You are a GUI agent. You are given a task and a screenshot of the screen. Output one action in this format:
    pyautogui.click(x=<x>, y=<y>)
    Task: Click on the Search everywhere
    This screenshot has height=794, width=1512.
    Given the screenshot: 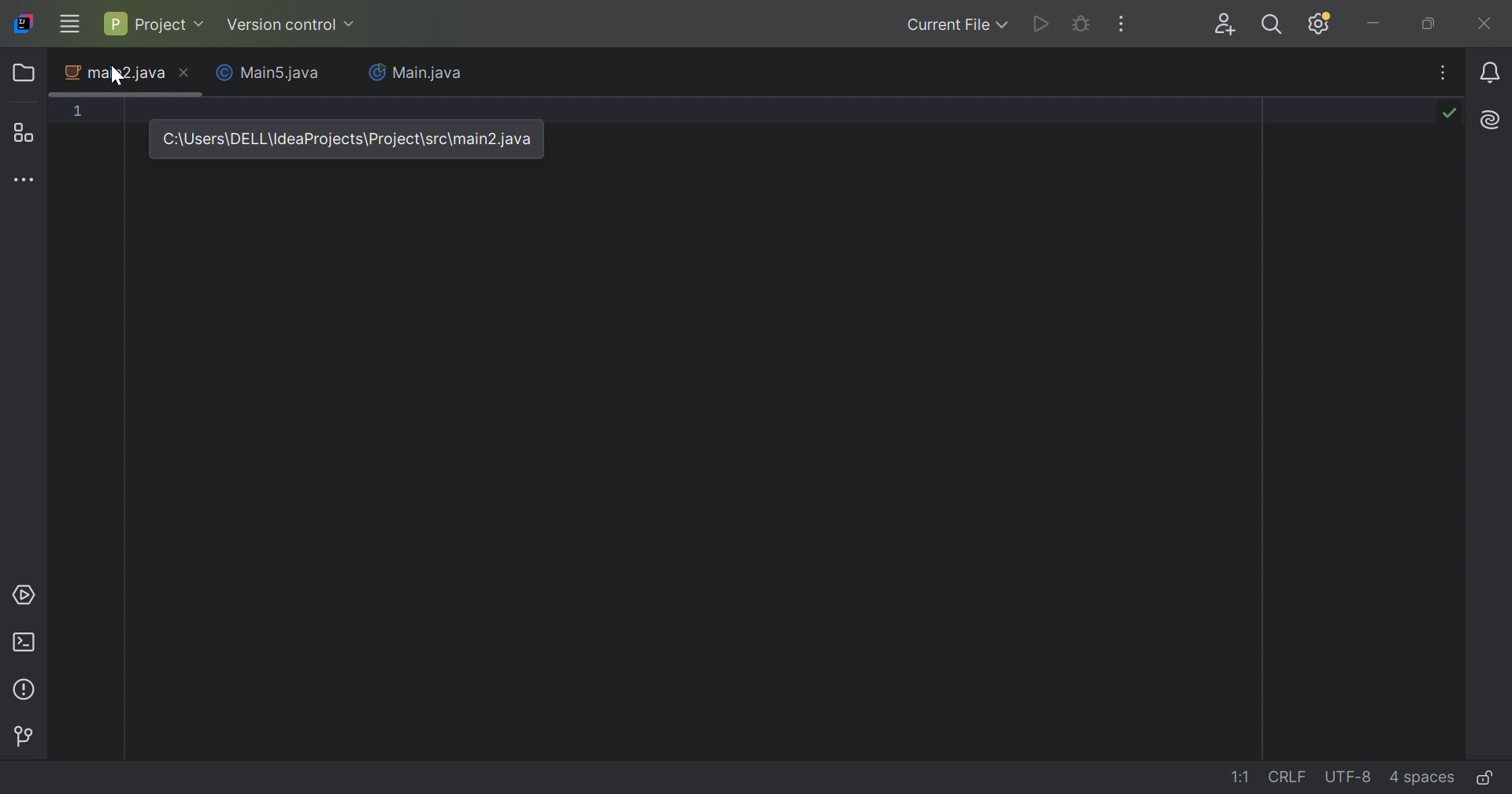 What is the action you would take?
    pyautogui.click(x=1276, y=27)
    